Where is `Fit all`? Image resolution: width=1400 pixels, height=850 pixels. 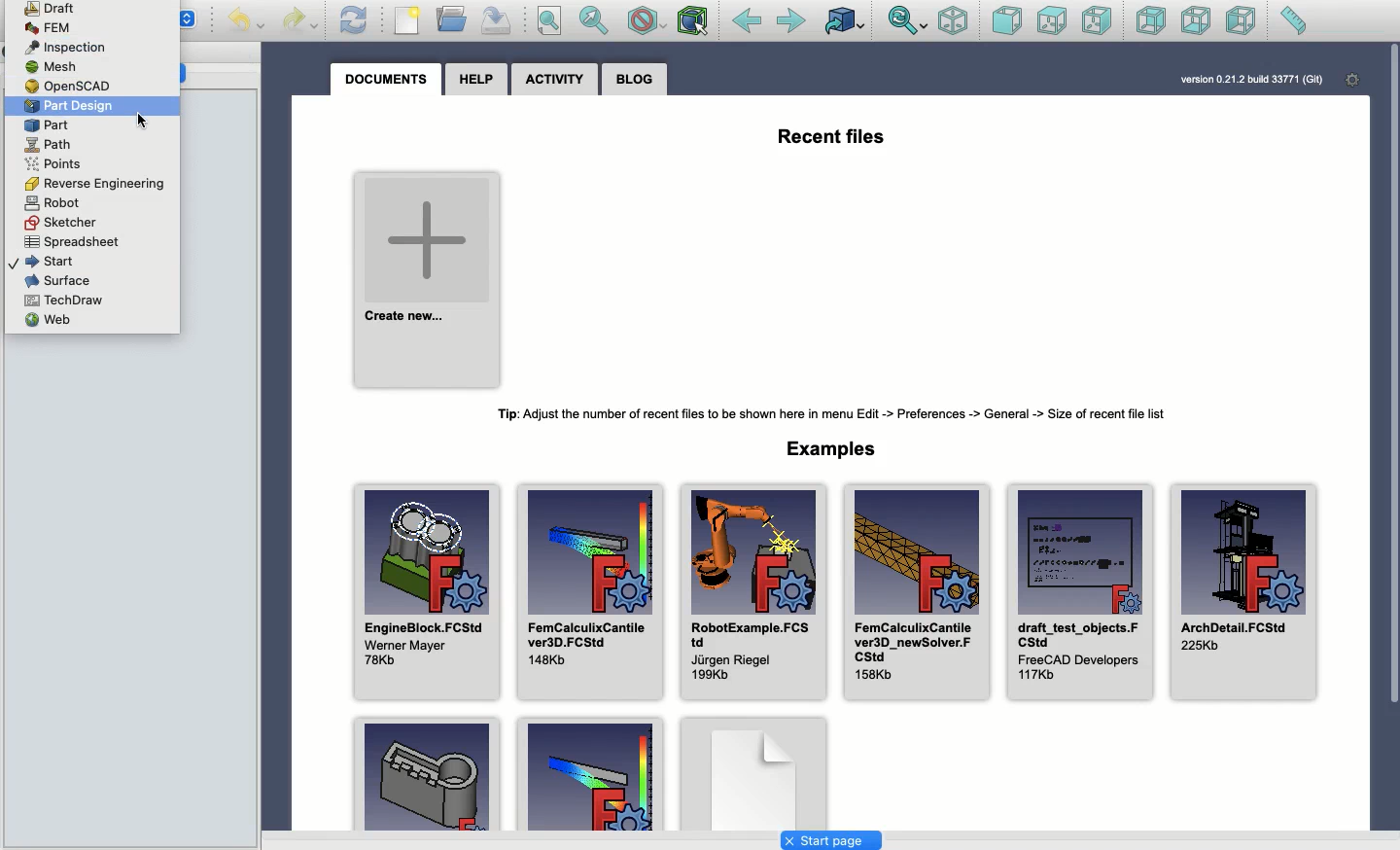
Fit all is located at coordinates (547, 22).